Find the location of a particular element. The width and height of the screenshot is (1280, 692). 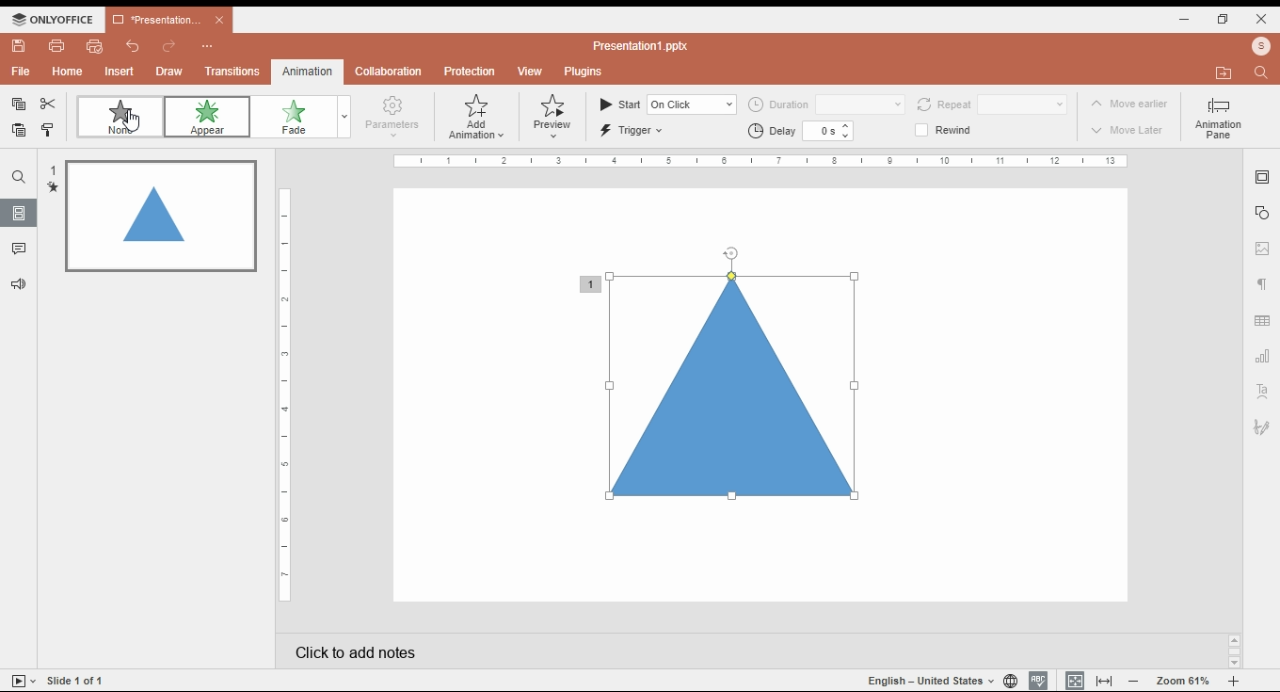

transitions is located at coordinates (232, 71).